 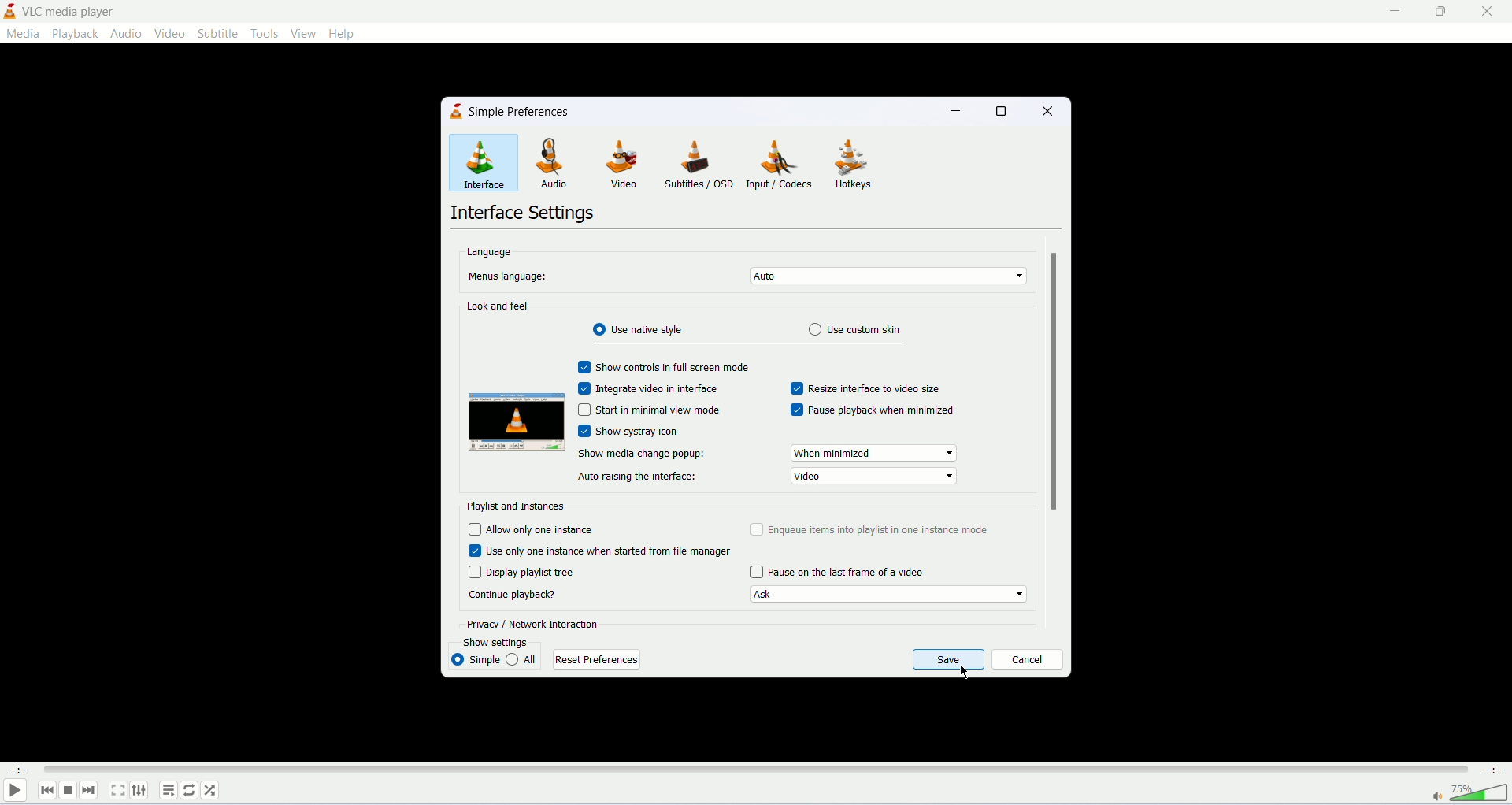 I want to click on VIDEO, so click(x=617, y=163).